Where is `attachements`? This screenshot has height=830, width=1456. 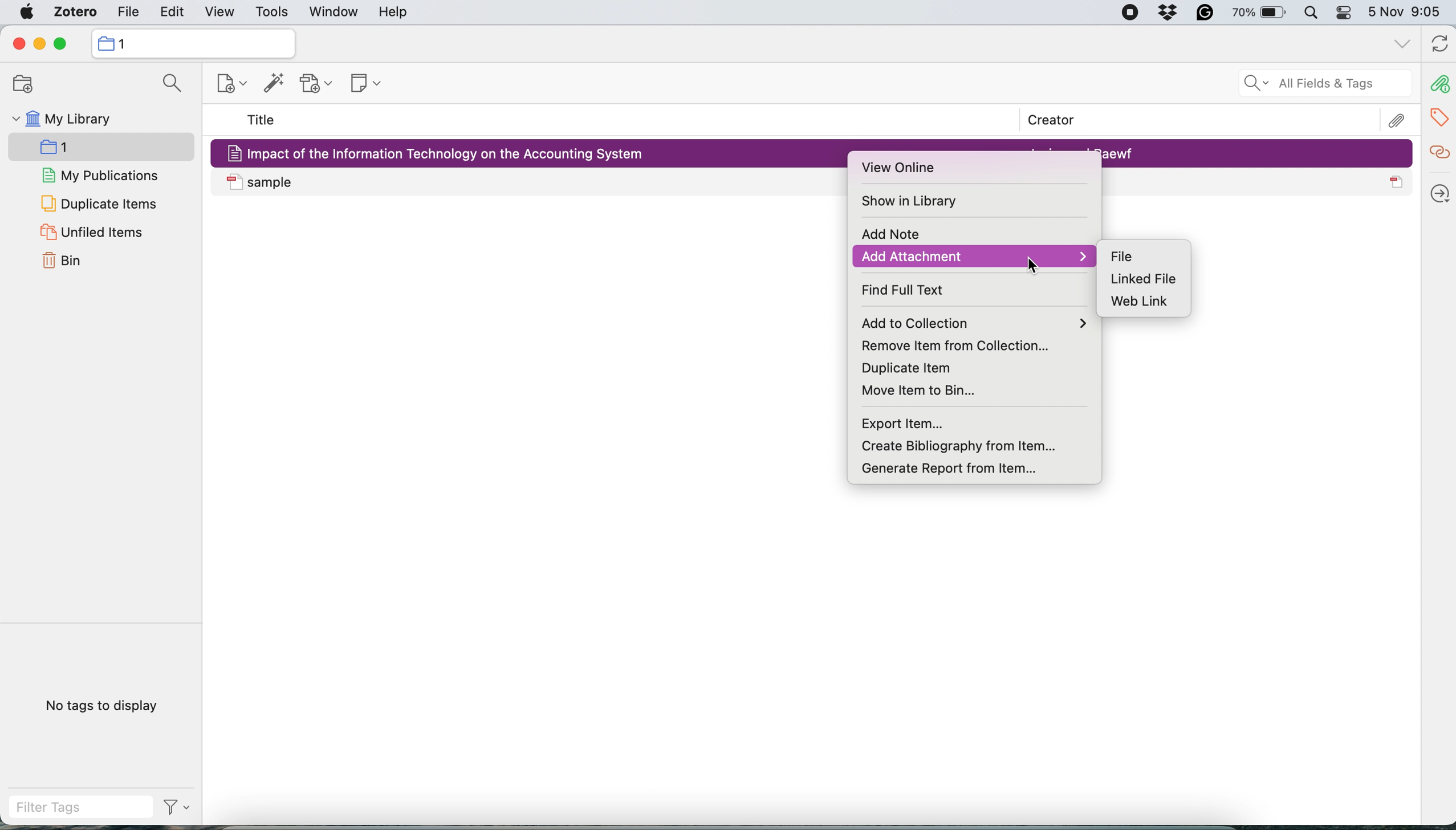
attachements is located at coordinates (1438, 84).